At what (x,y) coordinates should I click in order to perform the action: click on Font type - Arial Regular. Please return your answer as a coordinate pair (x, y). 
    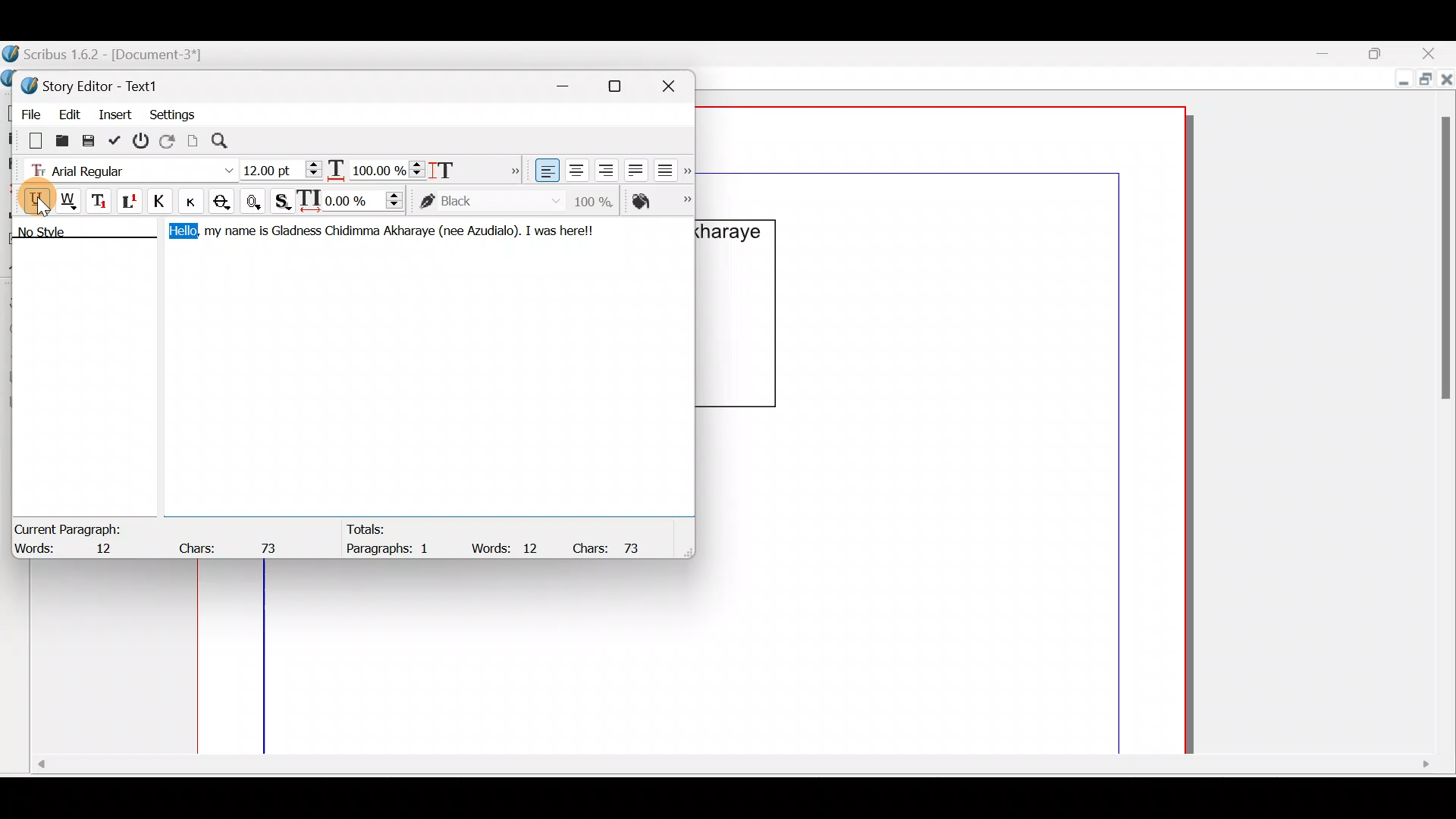
    Looking at the image, I should click on (126, 168).